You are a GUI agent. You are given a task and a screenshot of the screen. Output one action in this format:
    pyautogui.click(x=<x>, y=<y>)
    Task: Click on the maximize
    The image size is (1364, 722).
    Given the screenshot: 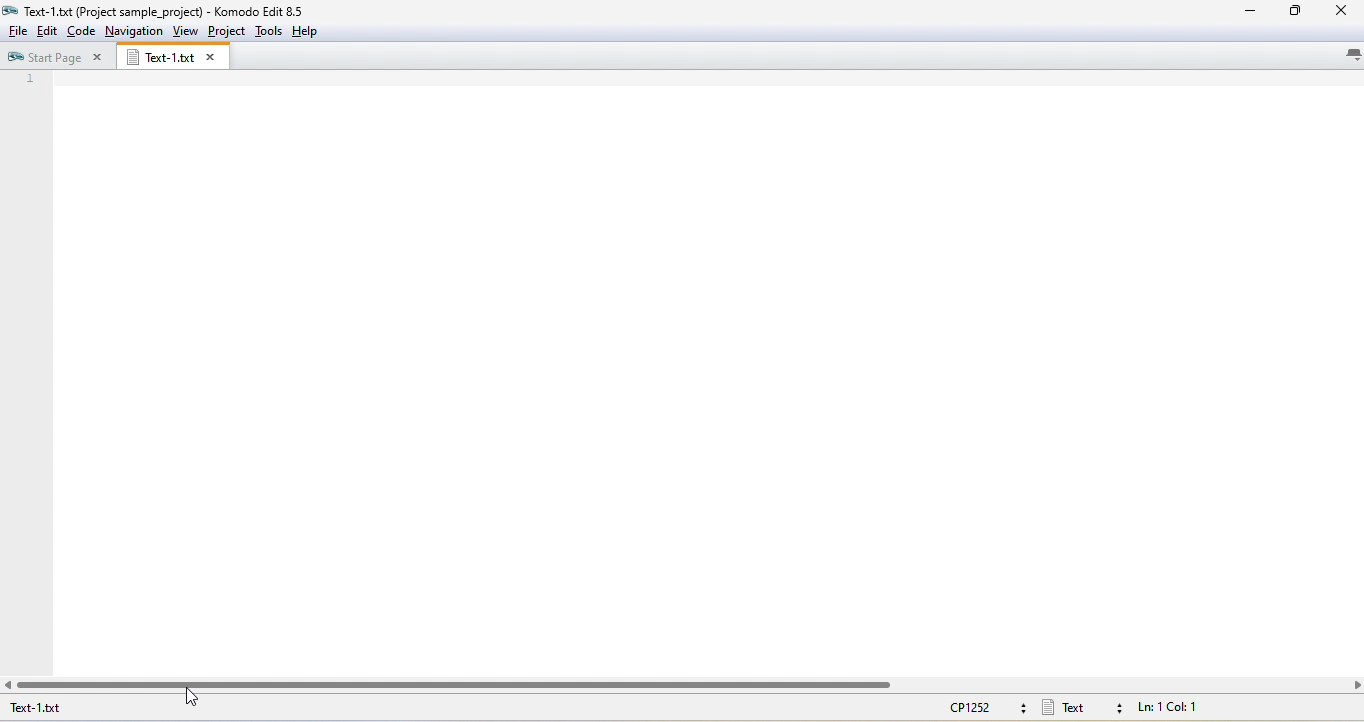 What is the action you would take?
    pyautogui.click(x=1298, y=12)
    